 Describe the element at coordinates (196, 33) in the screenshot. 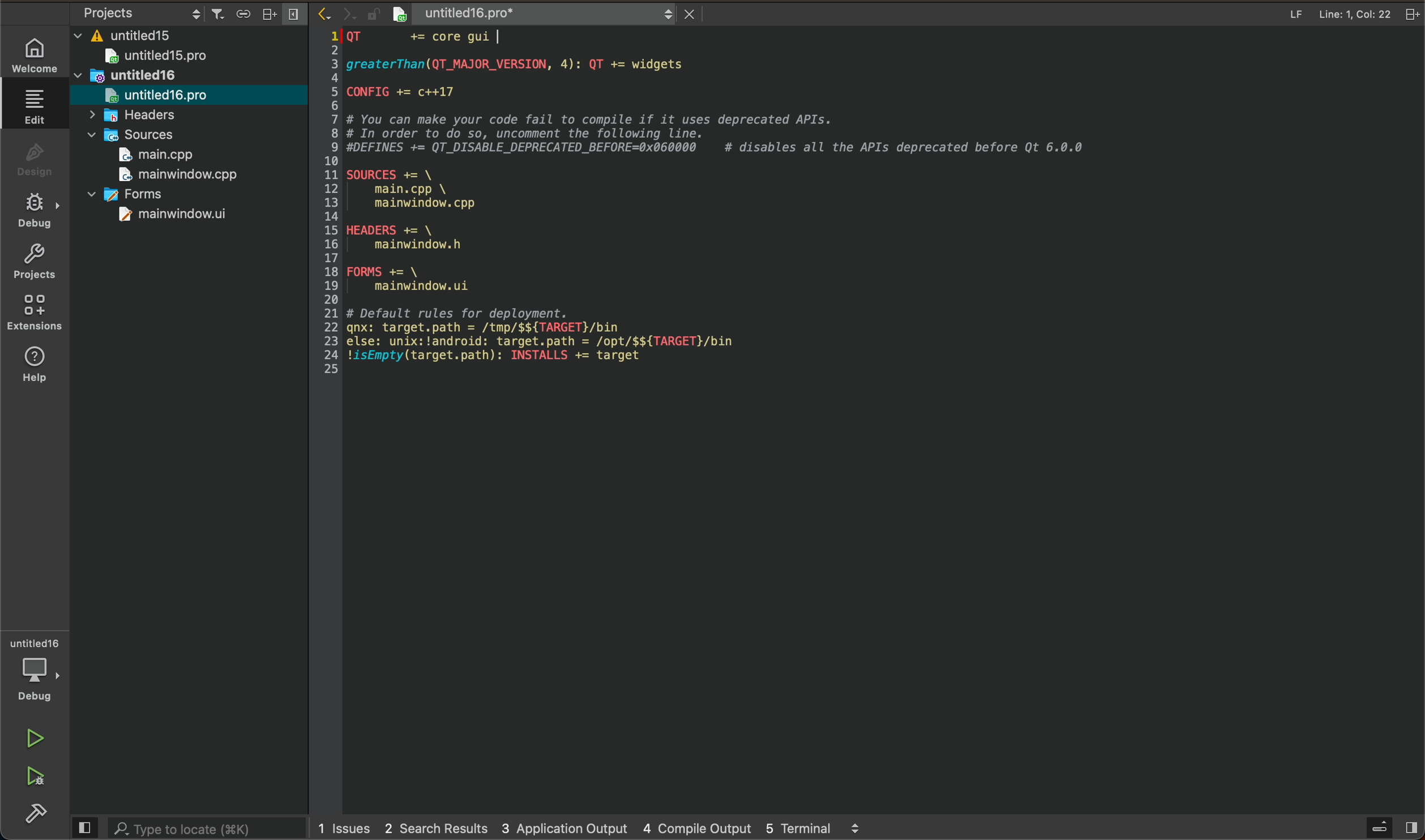

I see `files and folders` at that location.